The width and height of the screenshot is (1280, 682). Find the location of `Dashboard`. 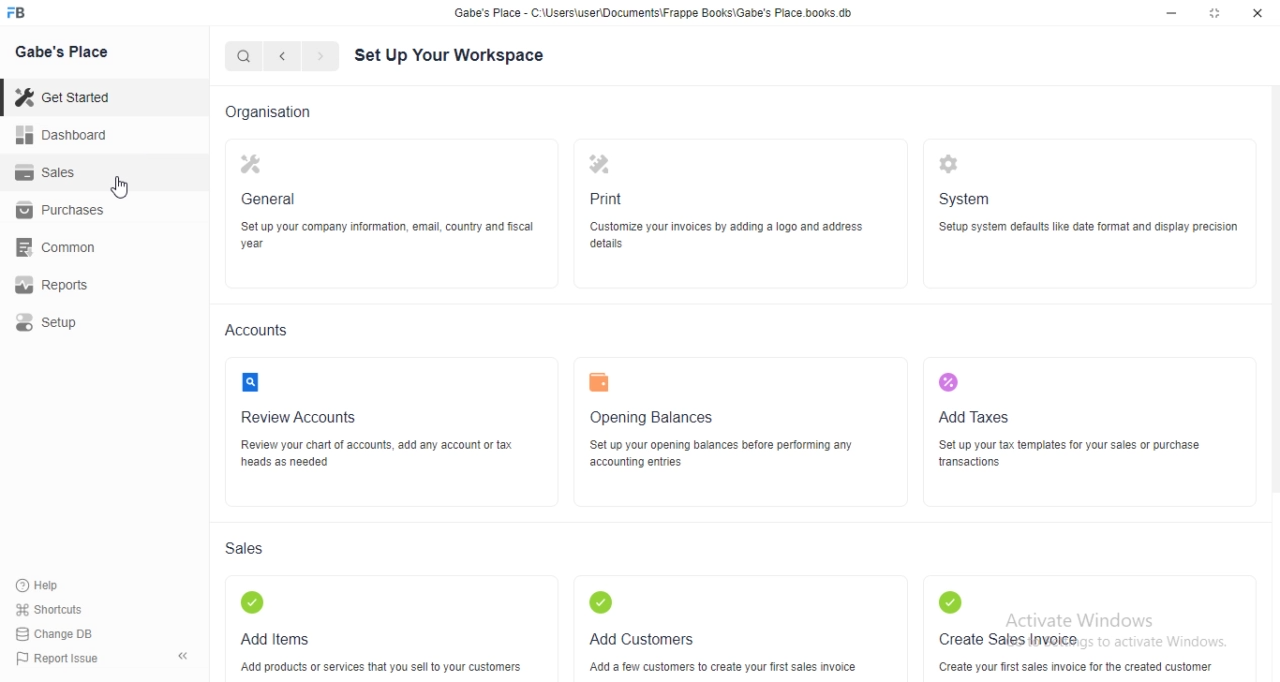

Dashboard is located at coordinates (78, 136).